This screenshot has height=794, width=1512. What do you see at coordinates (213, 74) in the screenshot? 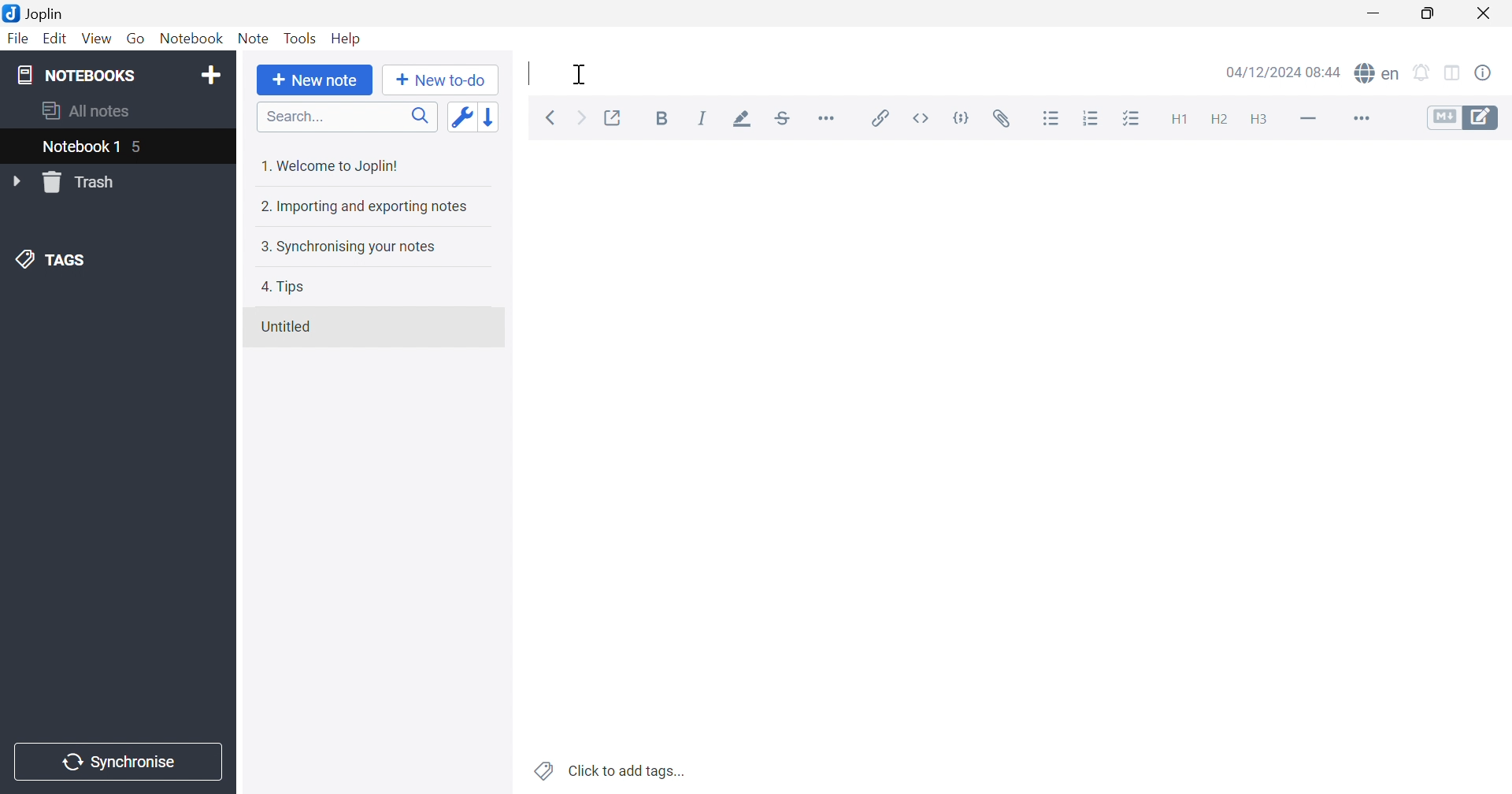
I see `Add notebook` at bounding box center [213, 74].